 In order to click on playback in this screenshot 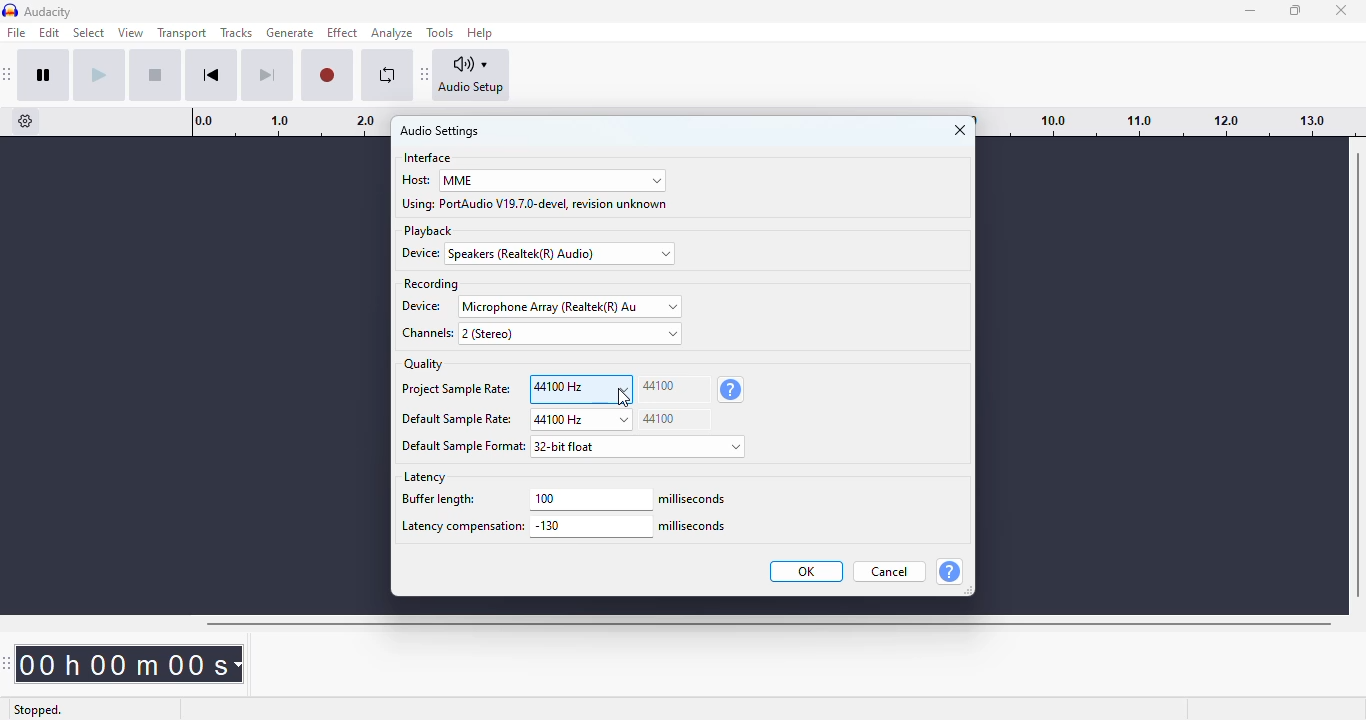, I will do `click(428, 231)`.